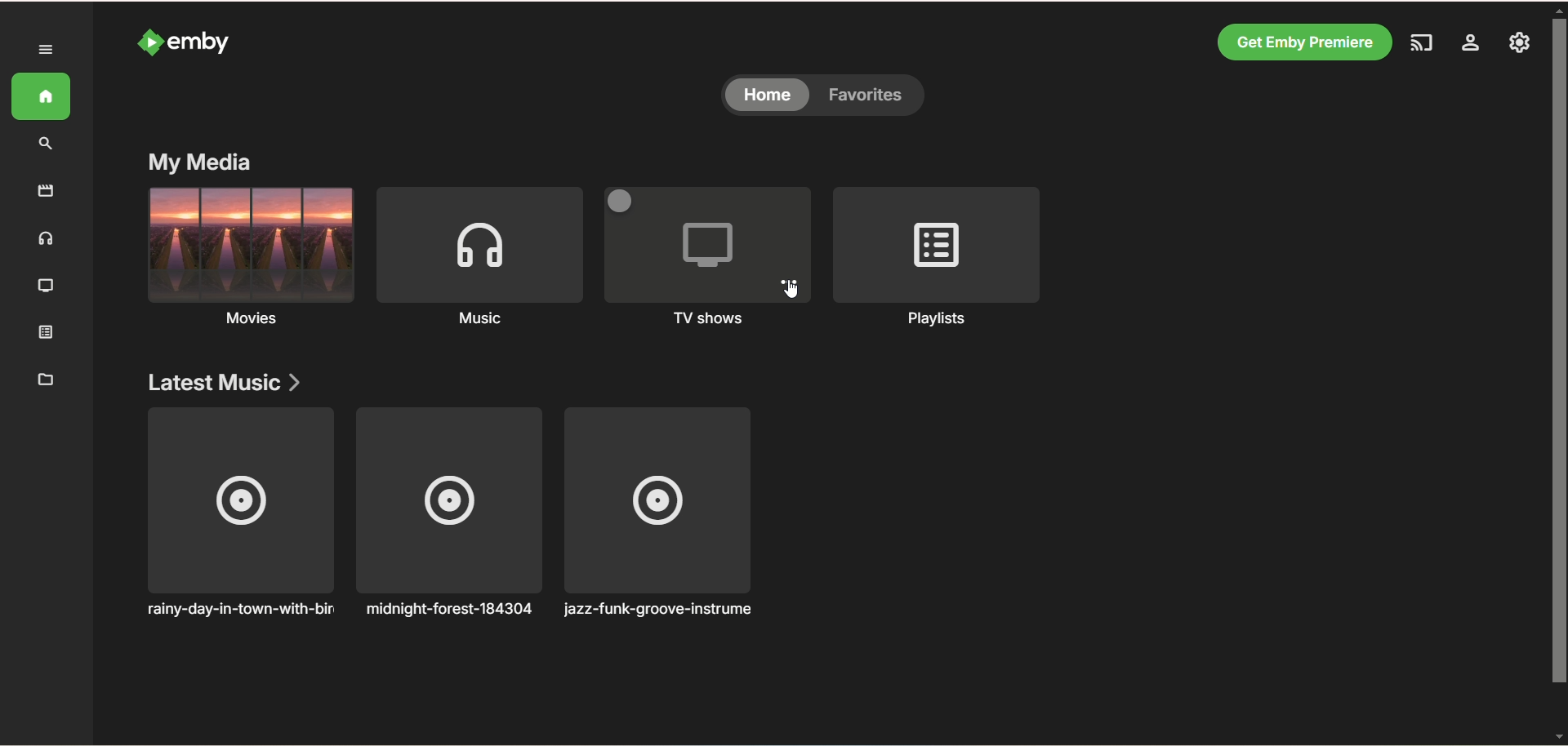  What do you see at coordinates (659, 513) in the screenshot?
I see `music album` at bounding box center [659, 513].